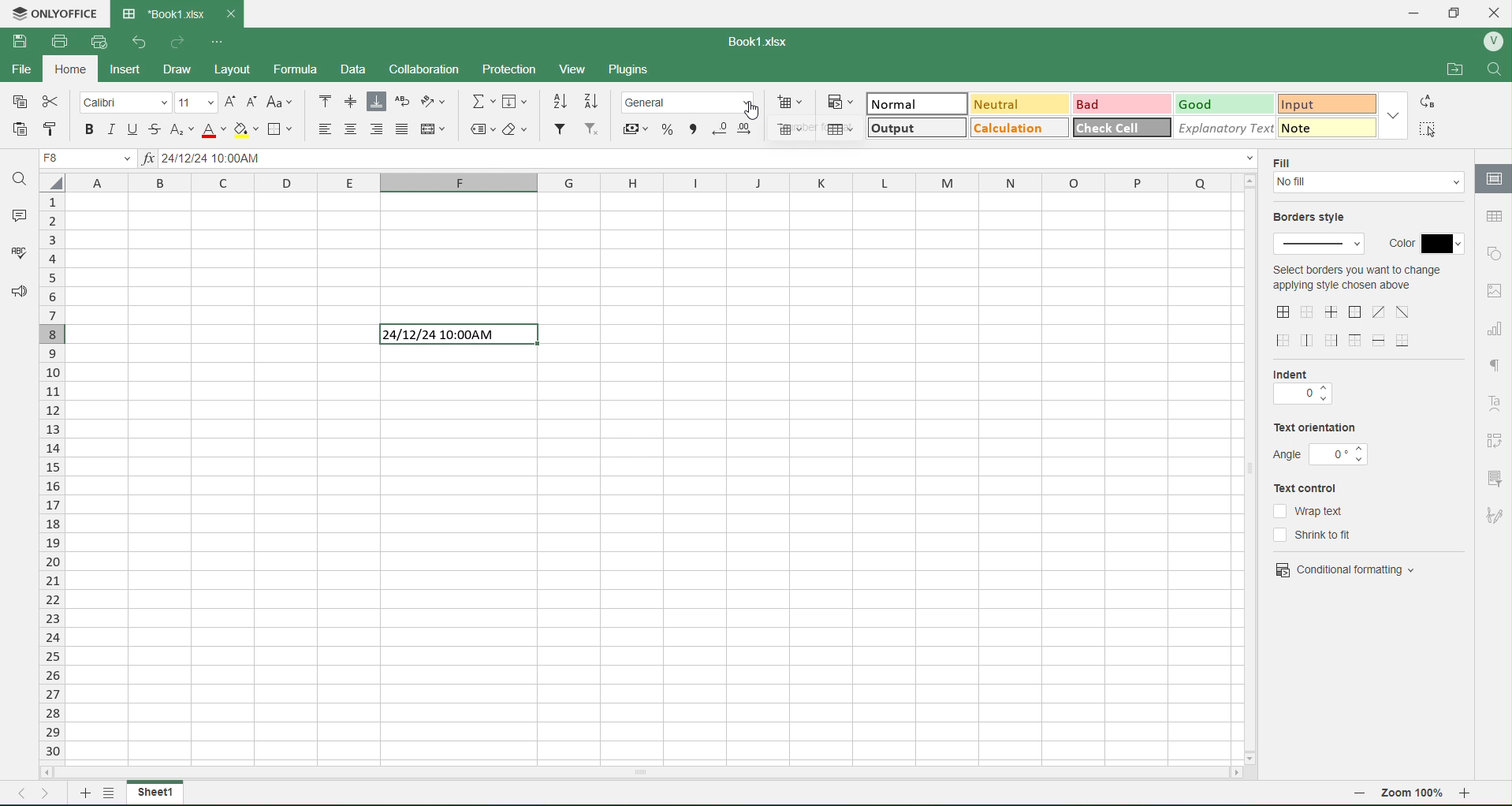  I want to click on drawing tool, so click(1493, 515).